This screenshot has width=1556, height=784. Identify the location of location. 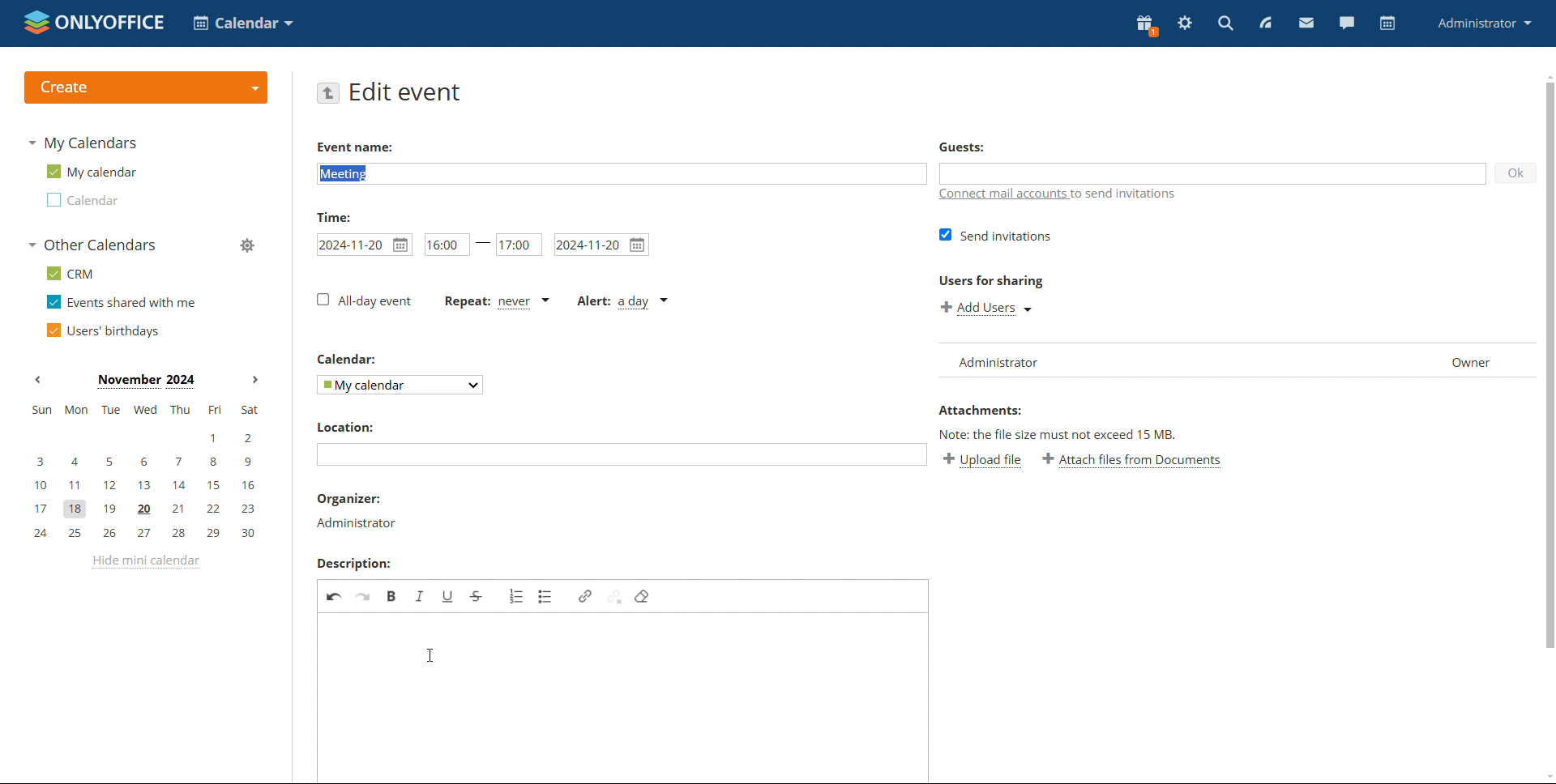
(345, 428).